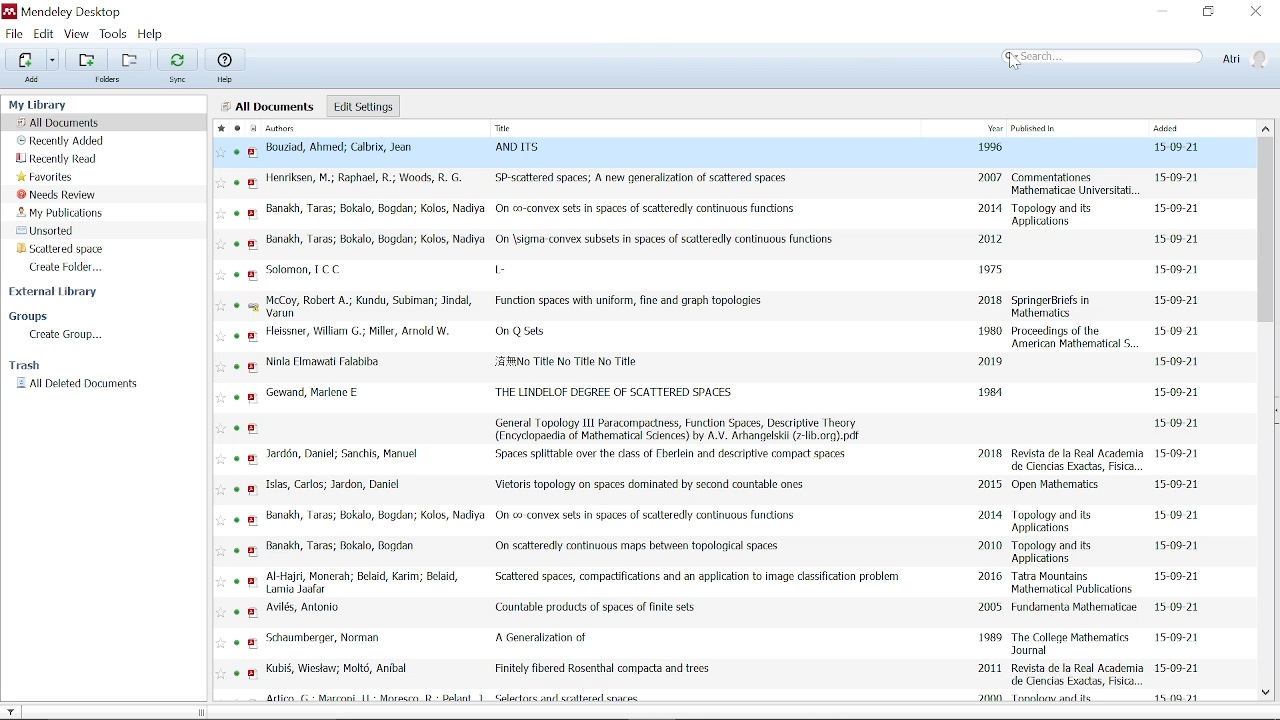 The image size is (1280, 720). What do you see at coordinates (77, 267) in the screenshot?
I see `Create folder` at bounding box center [77, 267].